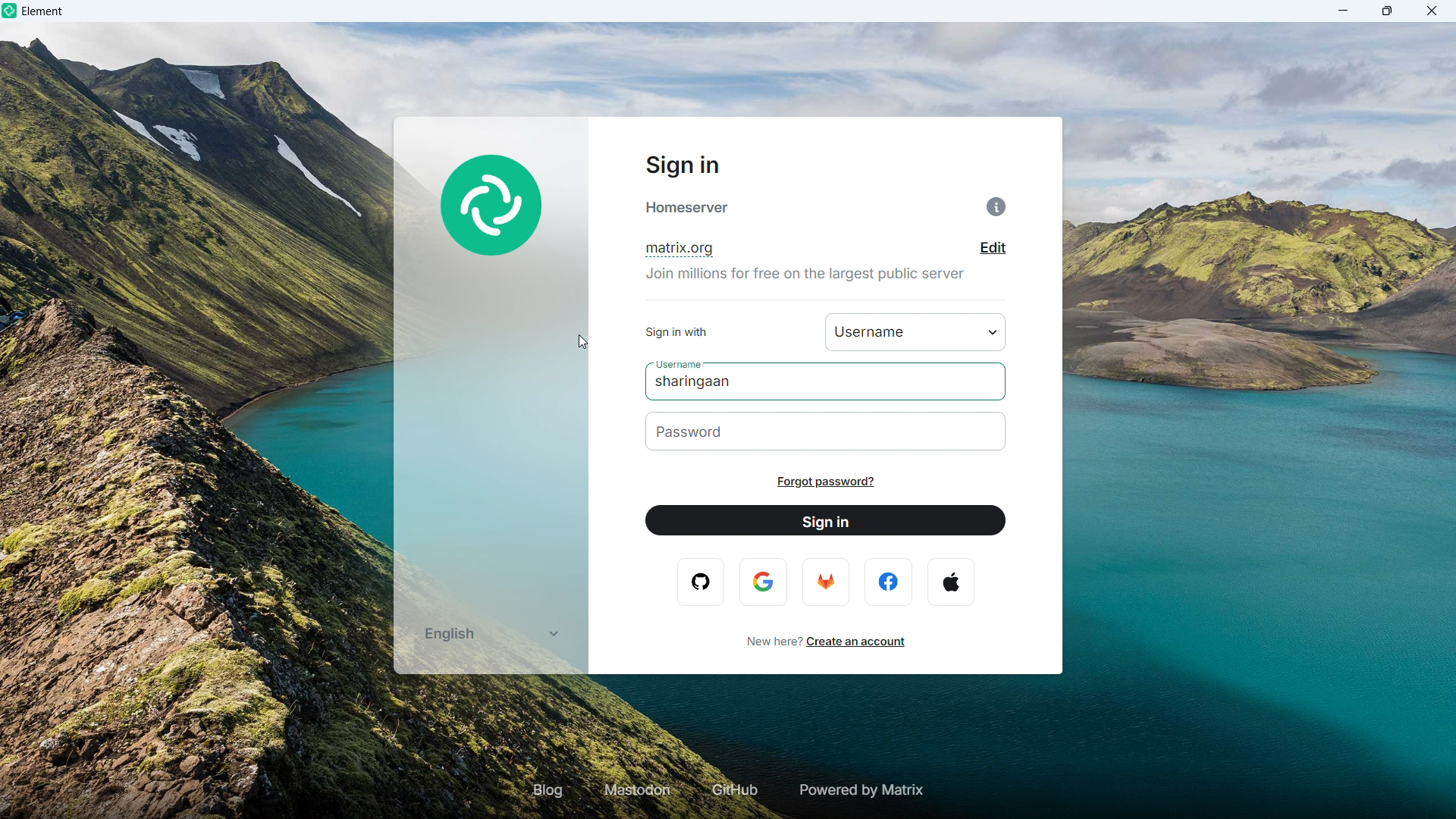 The height and width of the screenshot is (819, 1456). What do you see at coordinates (824, 581) in the screenshot?
I see `firefox` at bounding box center [824, 581].